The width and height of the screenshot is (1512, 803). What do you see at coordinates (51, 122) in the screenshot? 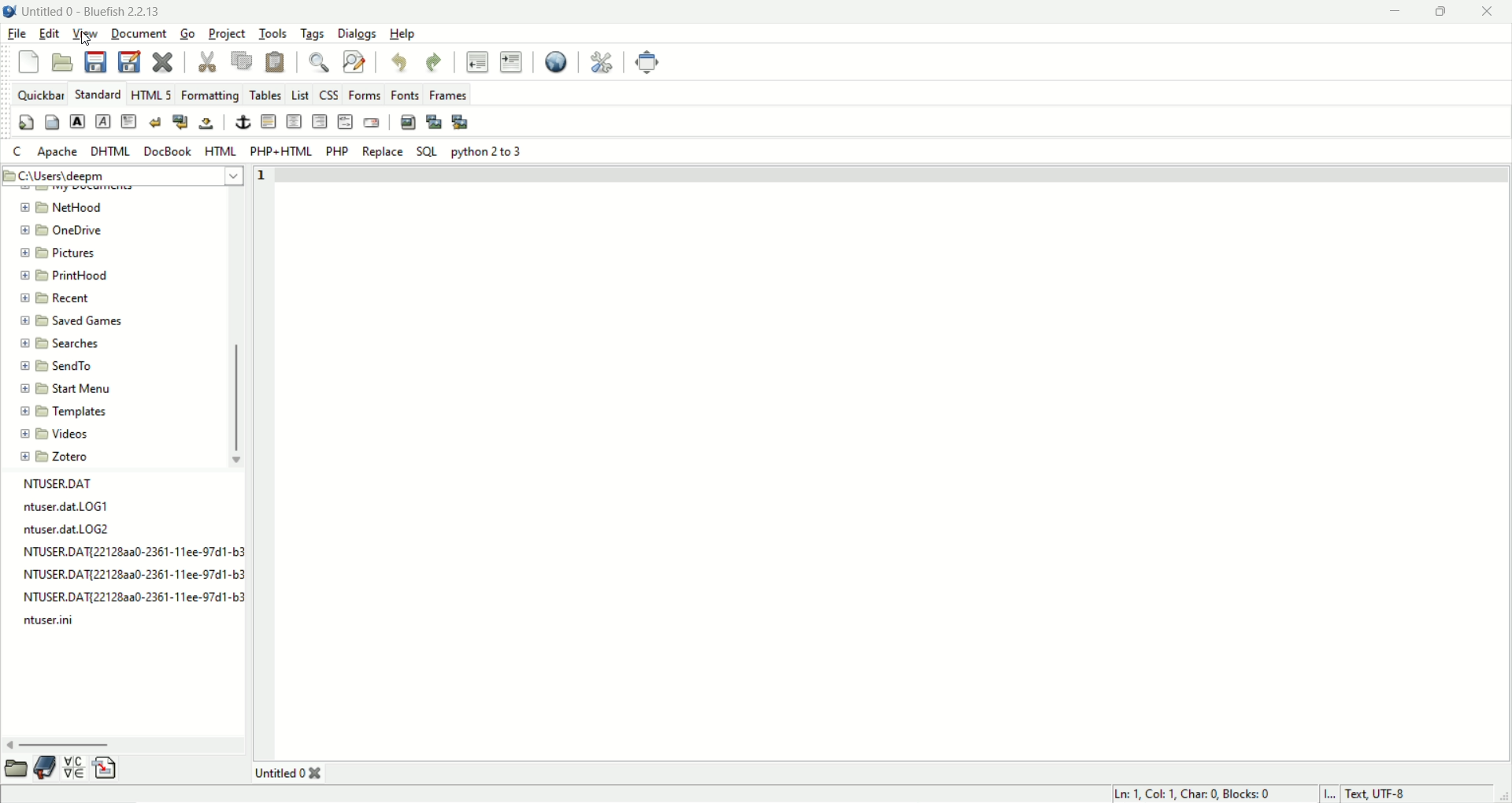
I see `body` at bounding box center [51, 122].